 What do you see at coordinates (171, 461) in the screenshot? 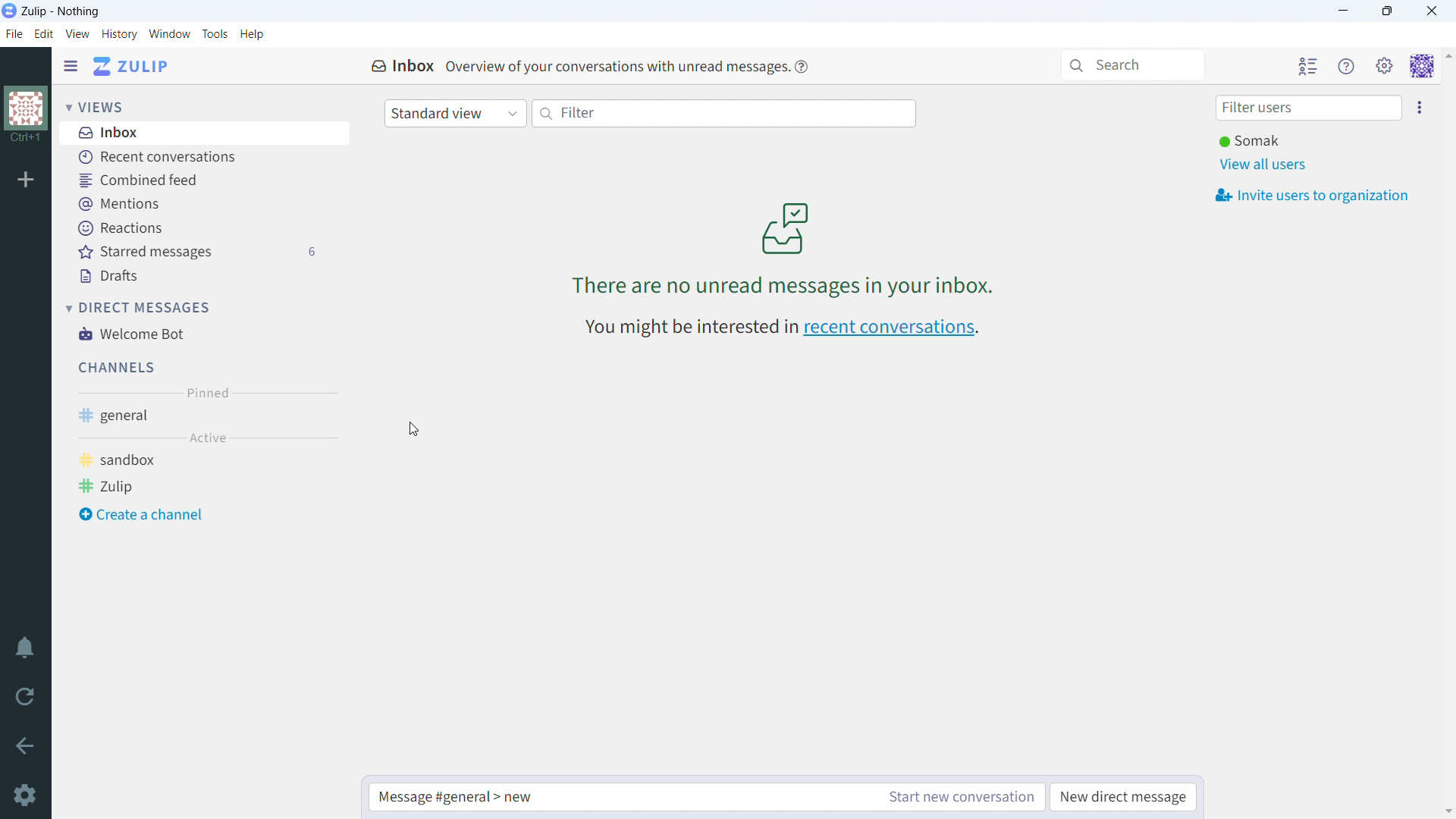
I see `sandbox` at bounding box center [171, 461].